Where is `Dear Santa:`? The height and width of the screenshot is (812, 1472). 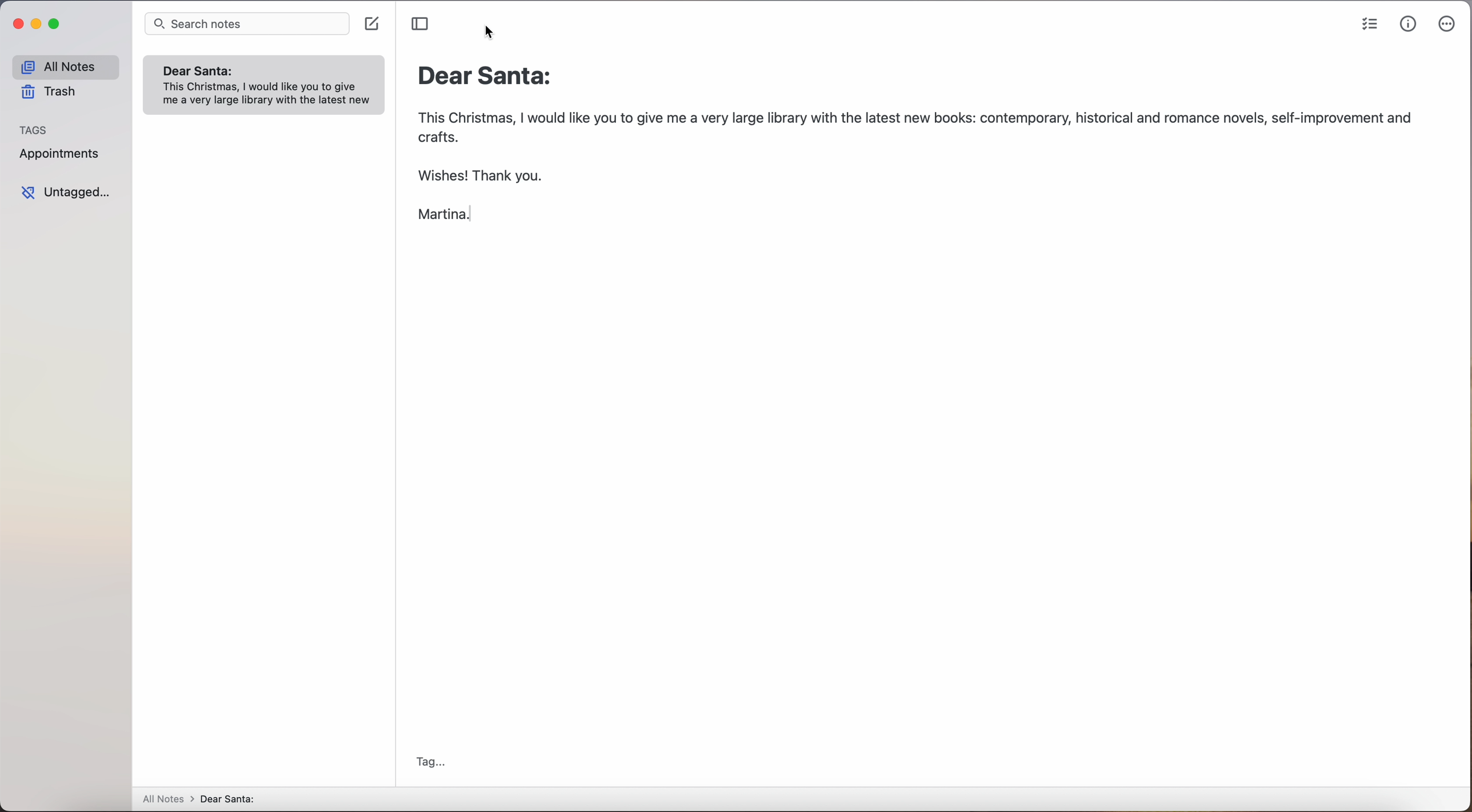 Dear Santa: is located at coordinates (492, 76).